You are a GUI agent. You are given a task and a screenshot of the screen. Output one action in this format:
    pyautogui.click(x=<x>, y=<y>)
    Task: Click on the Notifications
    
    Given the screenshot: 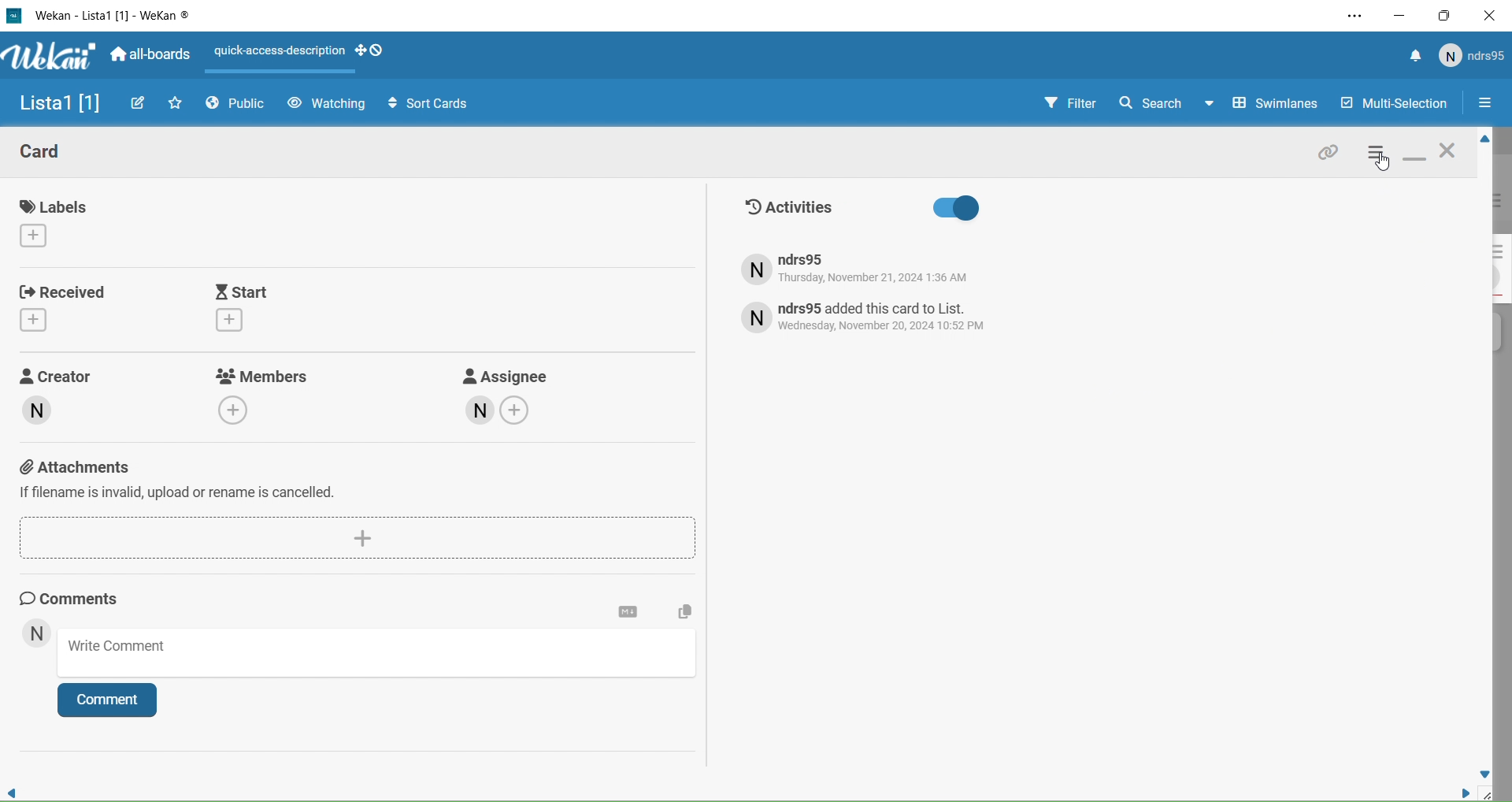 What is the action you would take?
    pyautogui.click(x=1414, y=54)
    